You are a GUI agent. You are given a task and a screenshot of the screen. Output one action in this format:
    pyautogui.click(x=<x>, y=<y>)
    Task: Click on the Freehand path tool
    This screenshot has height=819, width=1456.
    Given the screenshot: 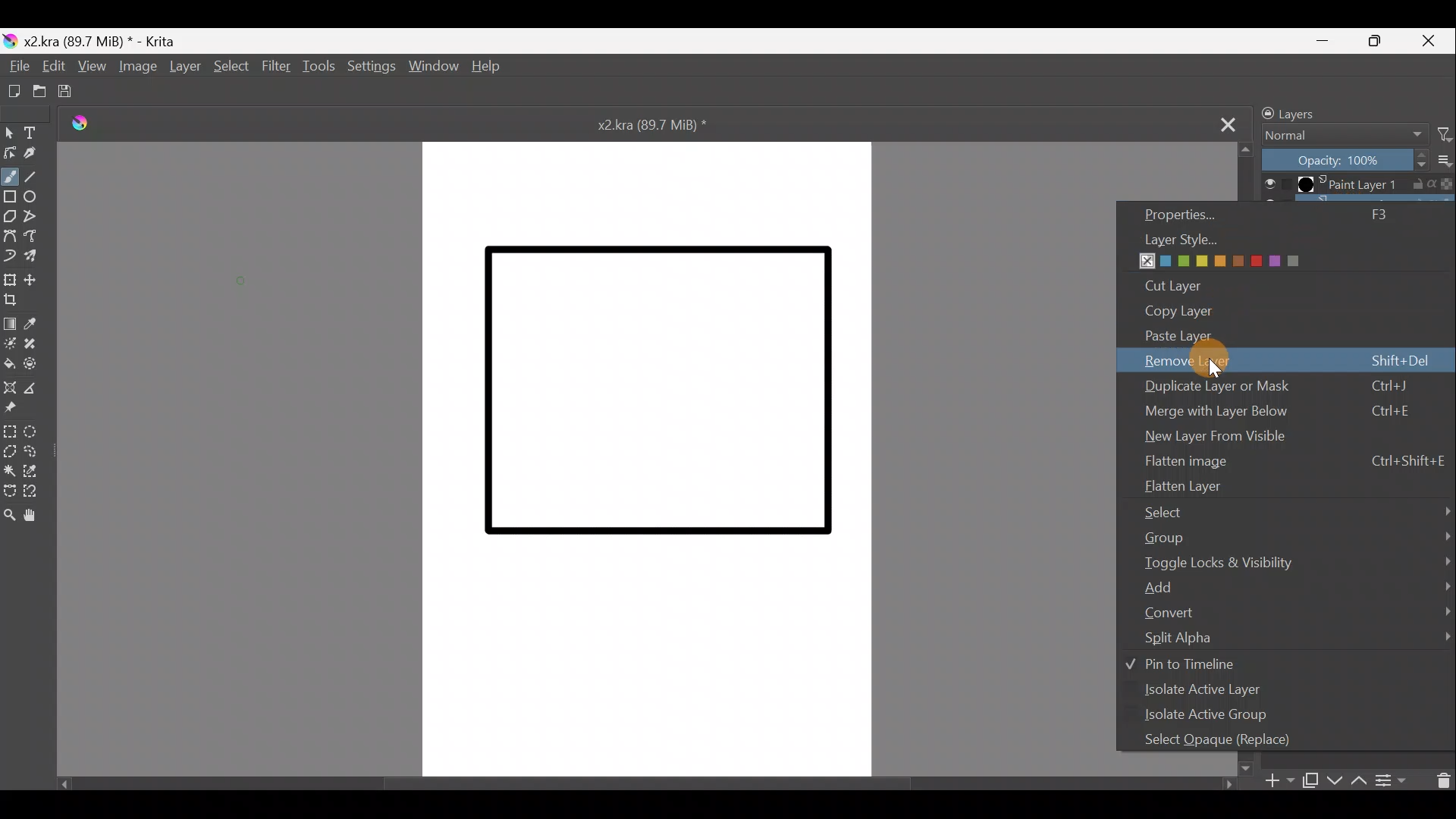 What is the action you would take?
    pyautogui.click(x=33, y=237)
    